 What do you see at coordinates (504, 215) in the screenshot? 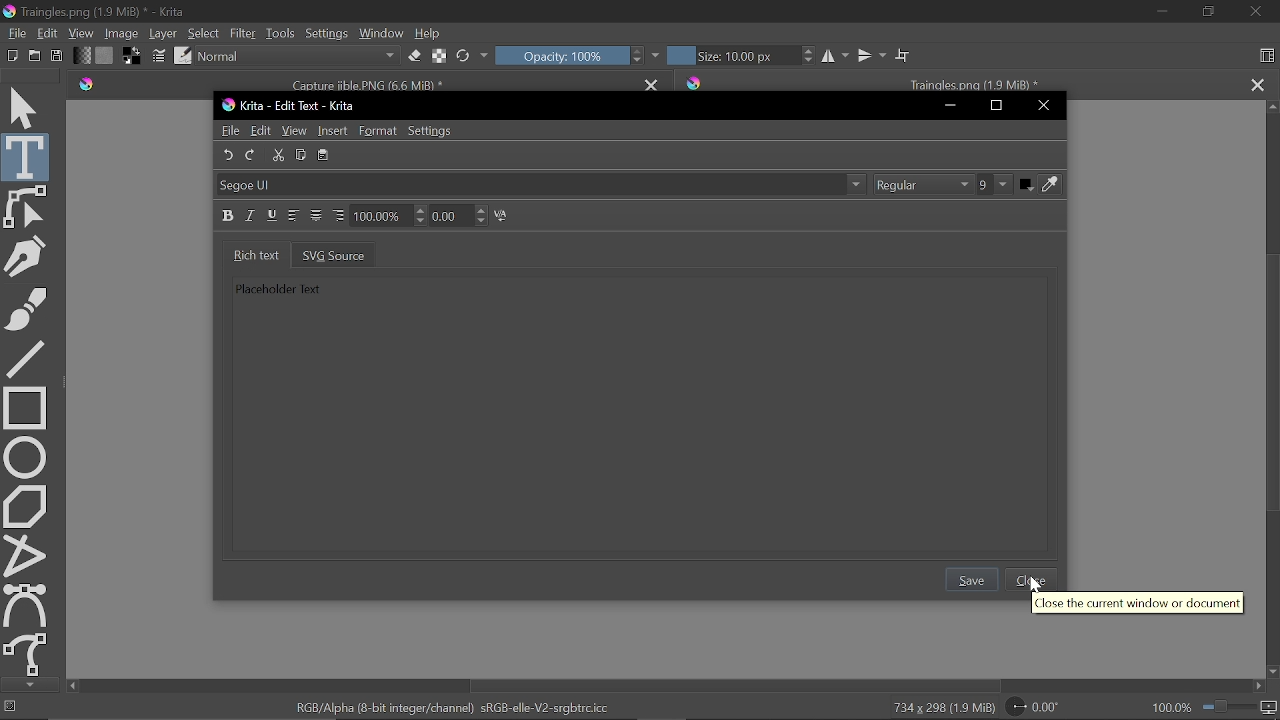
I see `Kerning` at bounding box center [504, 215].